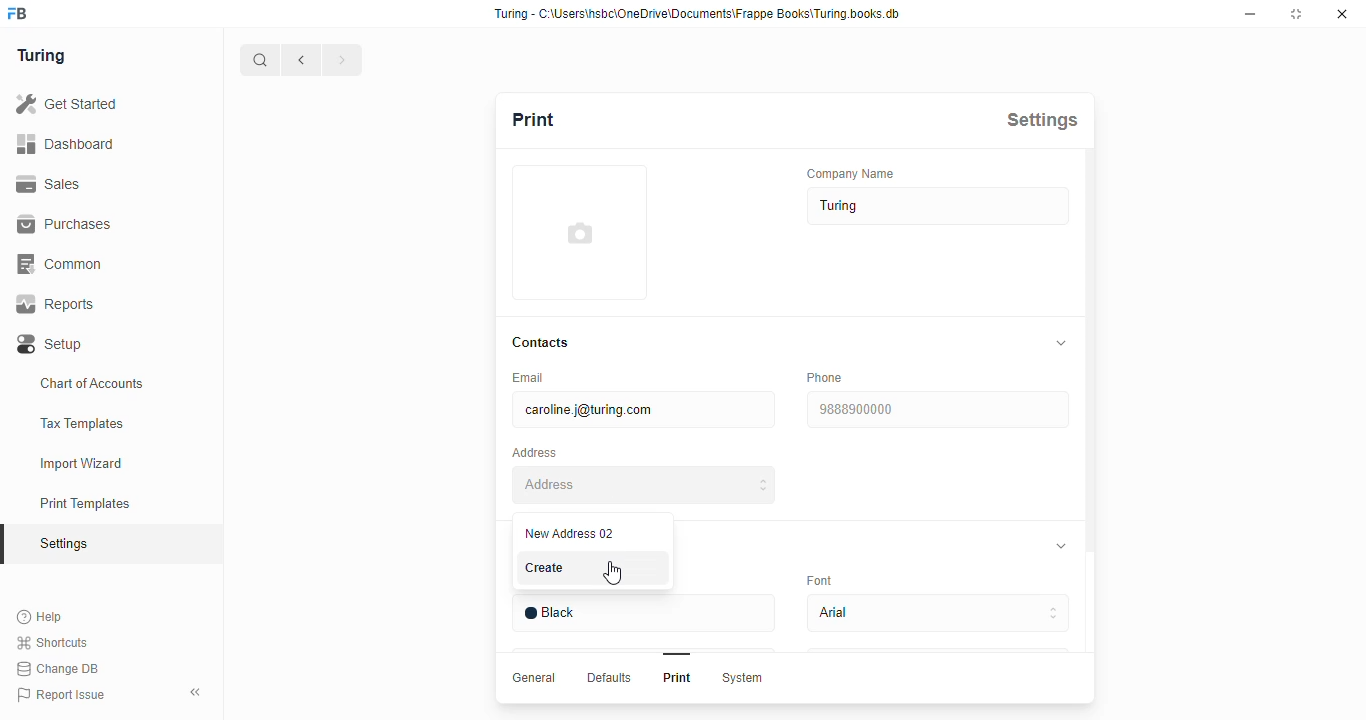  What do you see at coordinates (65, 143) in the screenshot?
I see `dashboard` at bounding box center [65, 143].